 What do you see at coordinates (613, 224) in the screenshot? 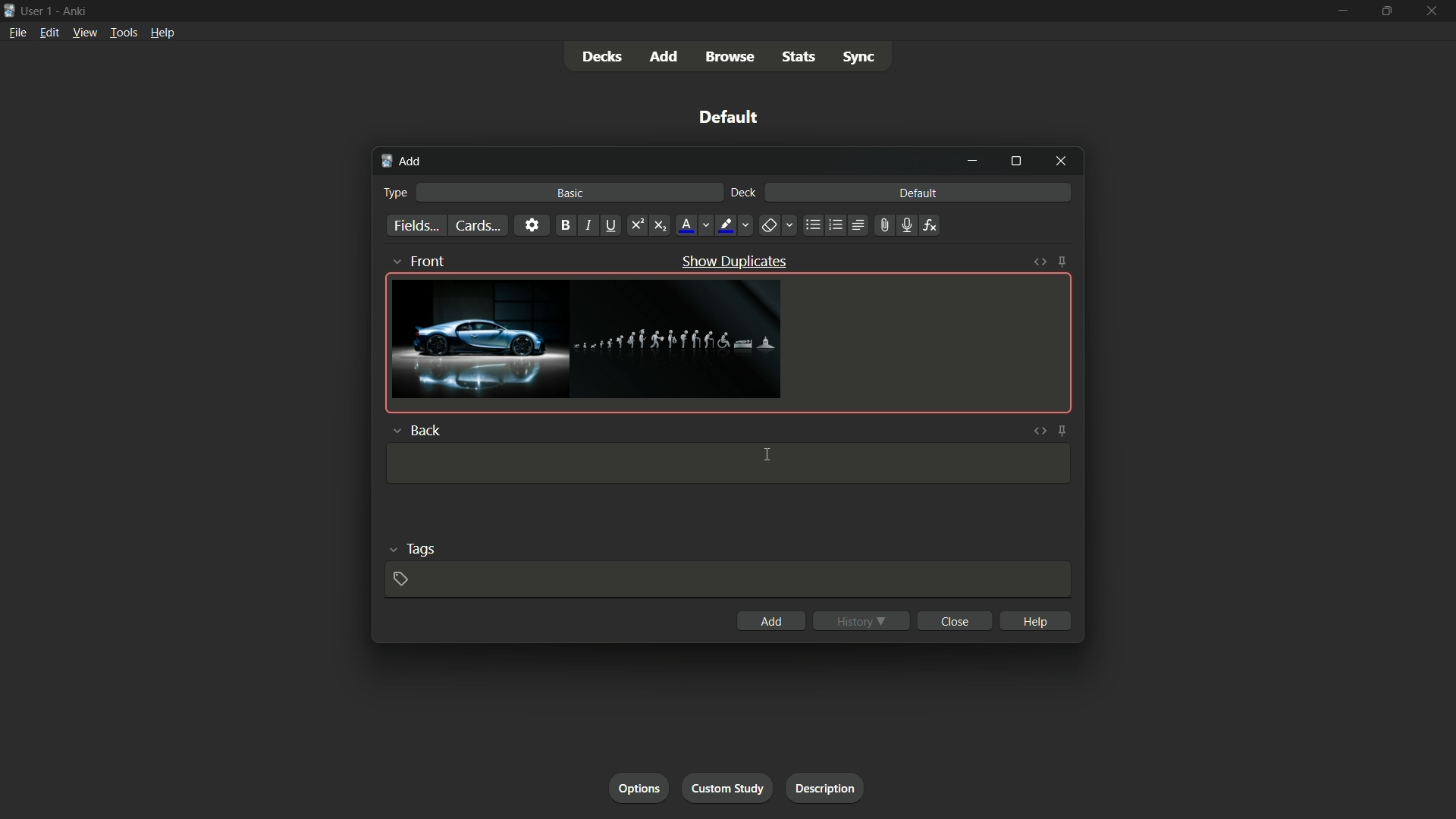
I see `underline` at bounding box center [613, 224].